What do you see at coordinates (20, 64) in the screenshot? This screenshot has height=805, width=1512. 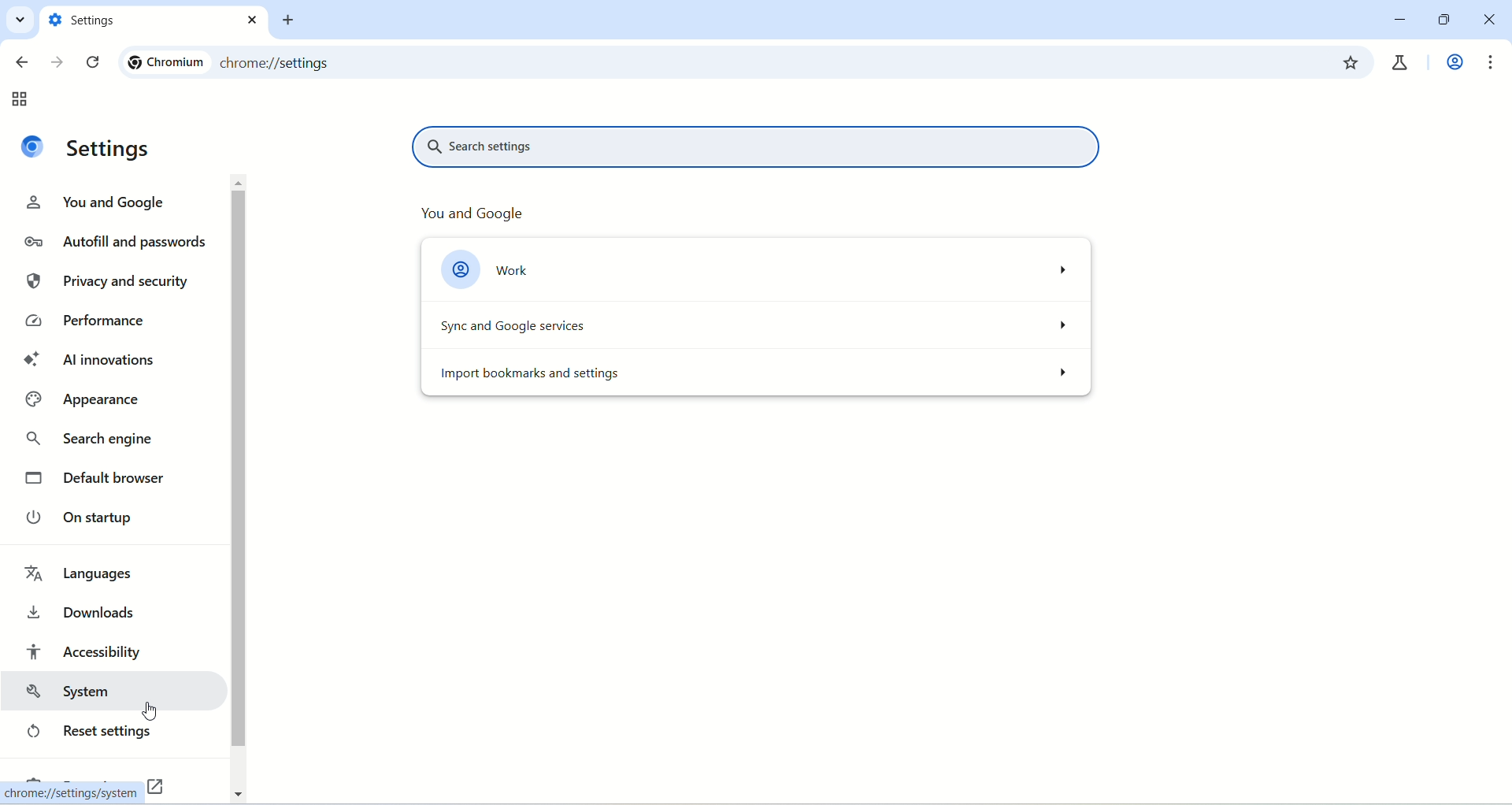 I see `go back` at bounding box center [20, 64].